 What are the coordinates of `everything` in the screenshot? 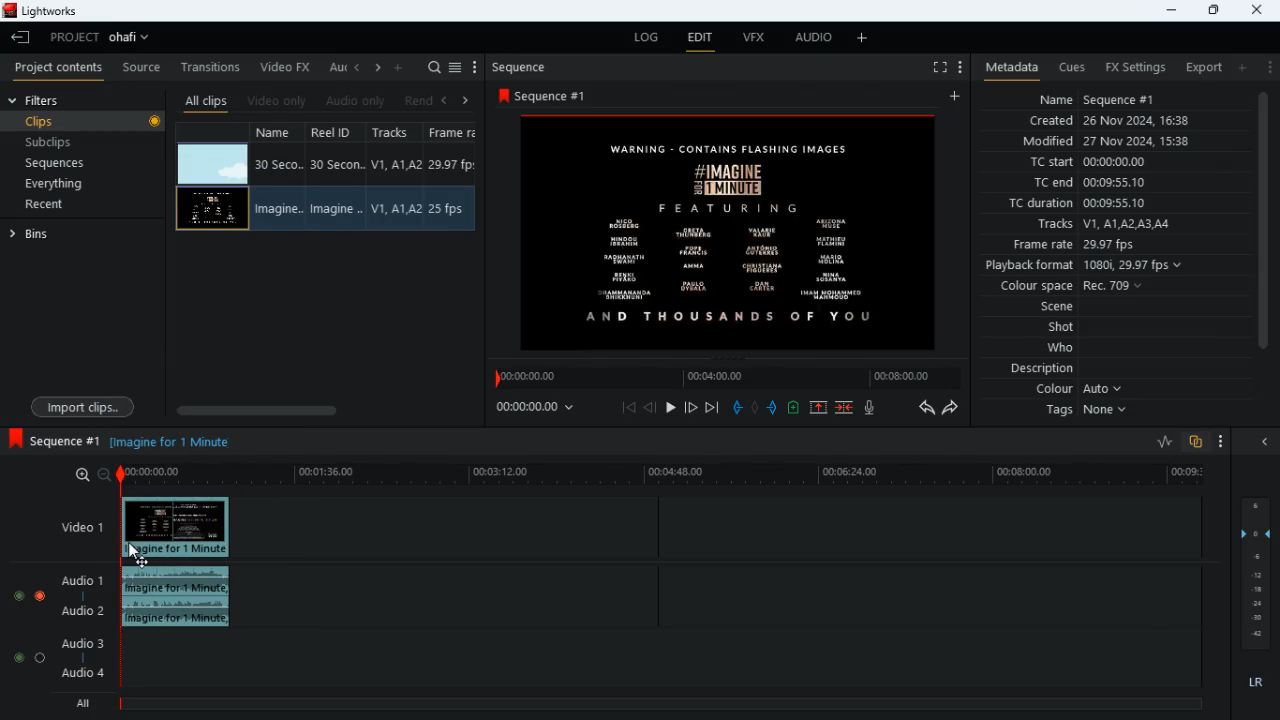 It's located at (60, 186).